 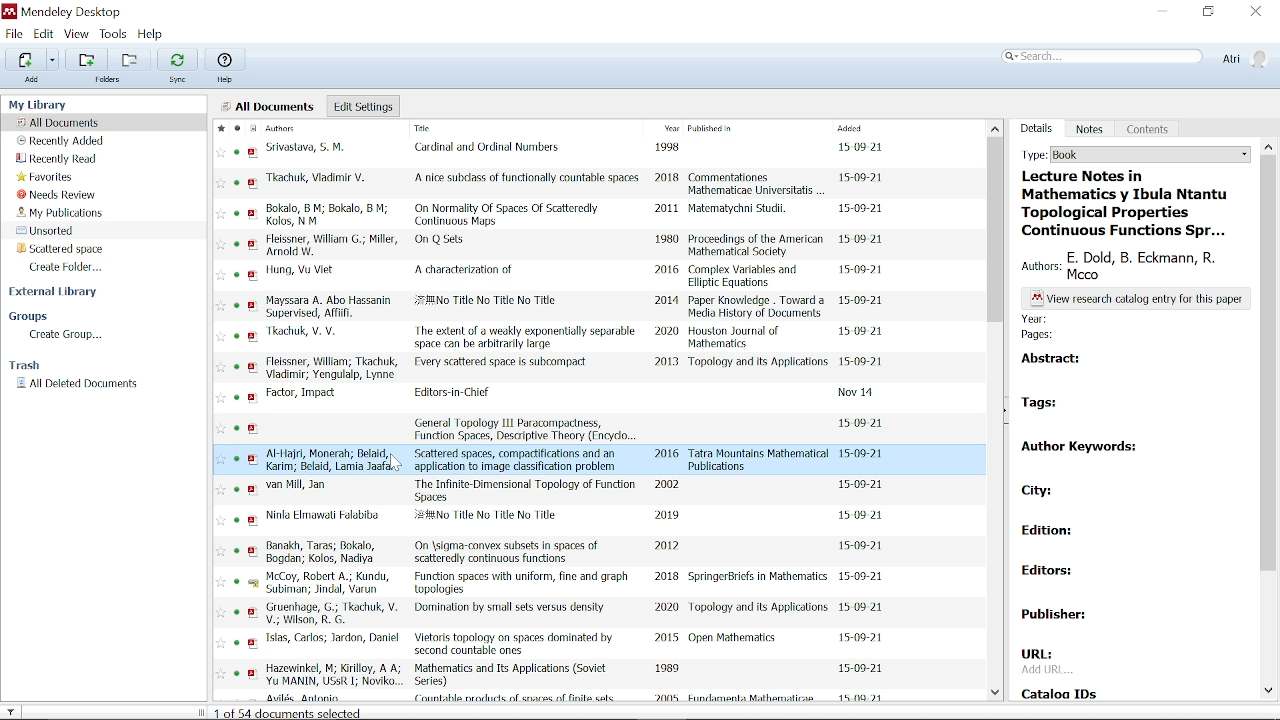 What do you see at coordinates (511, 675) in the screenshot?
I see `title` at bounding box center [511, 675].